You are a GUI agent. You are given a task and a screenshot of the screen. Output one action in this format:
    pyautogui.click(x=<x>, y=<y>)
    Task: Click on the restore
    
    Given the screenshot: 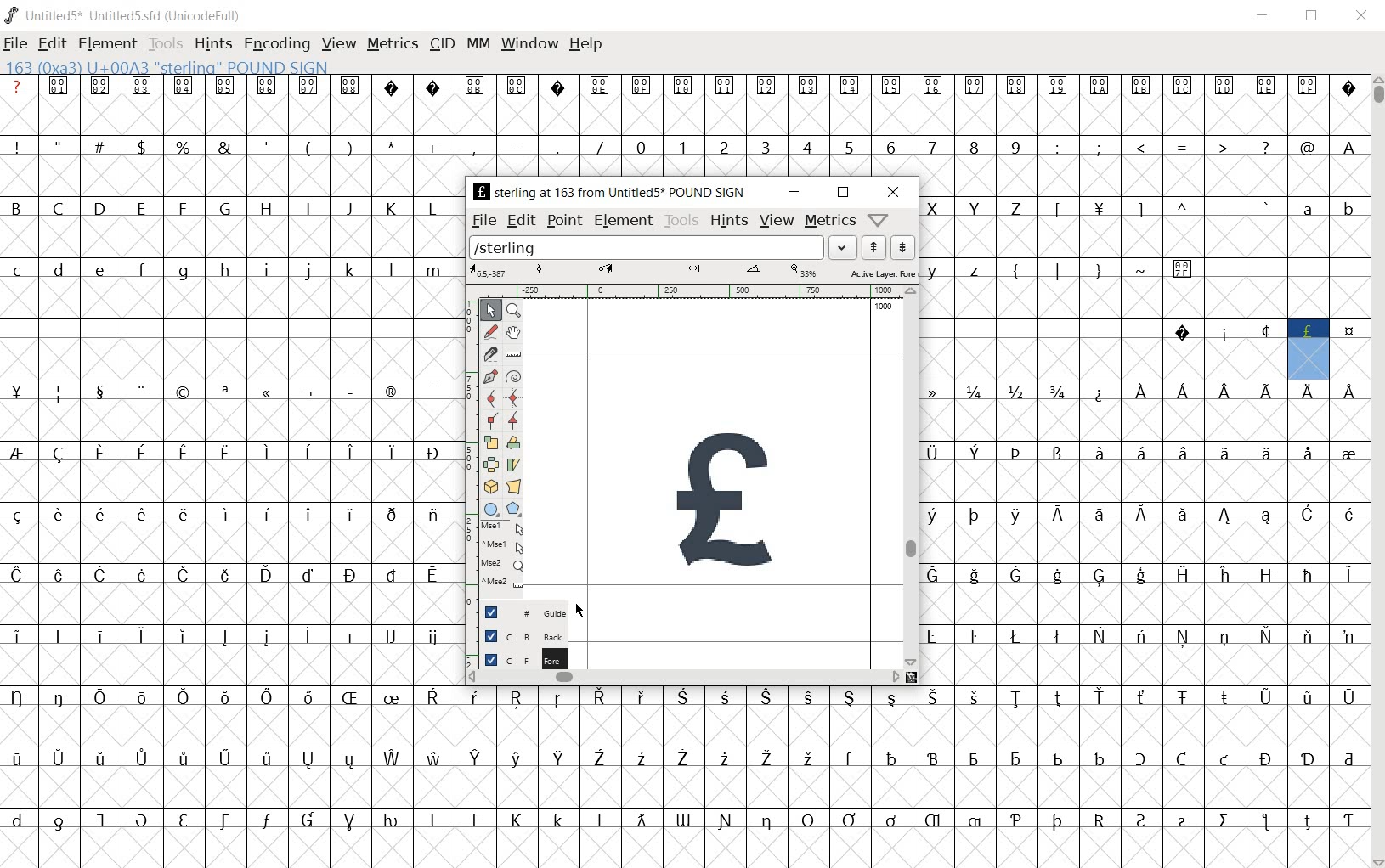 What is the action you would take?
    pyautogui.click(x=843, y=193)
    